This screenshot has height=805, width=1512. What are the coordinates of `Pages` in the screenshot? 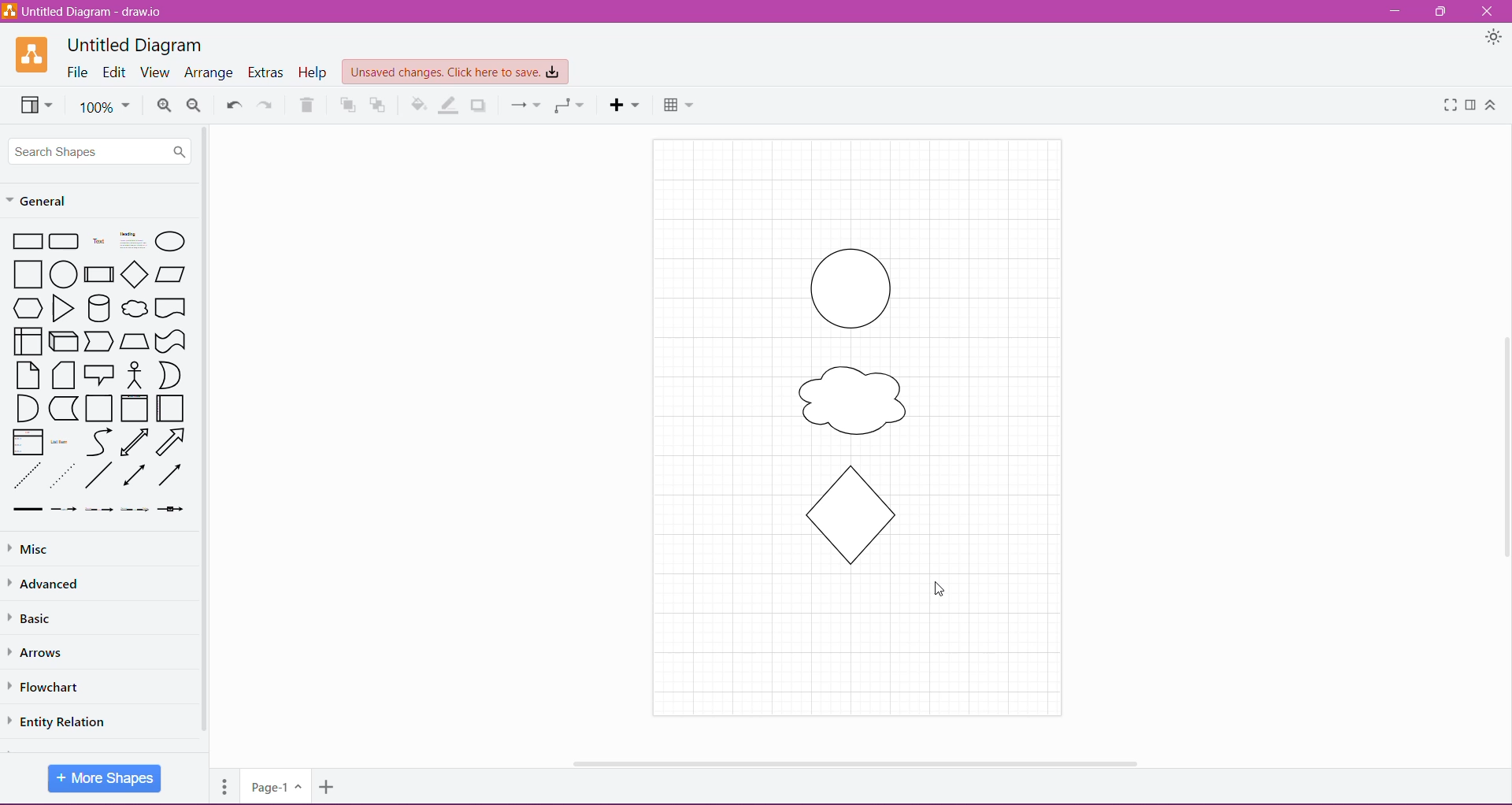 It's located at (222, 785).